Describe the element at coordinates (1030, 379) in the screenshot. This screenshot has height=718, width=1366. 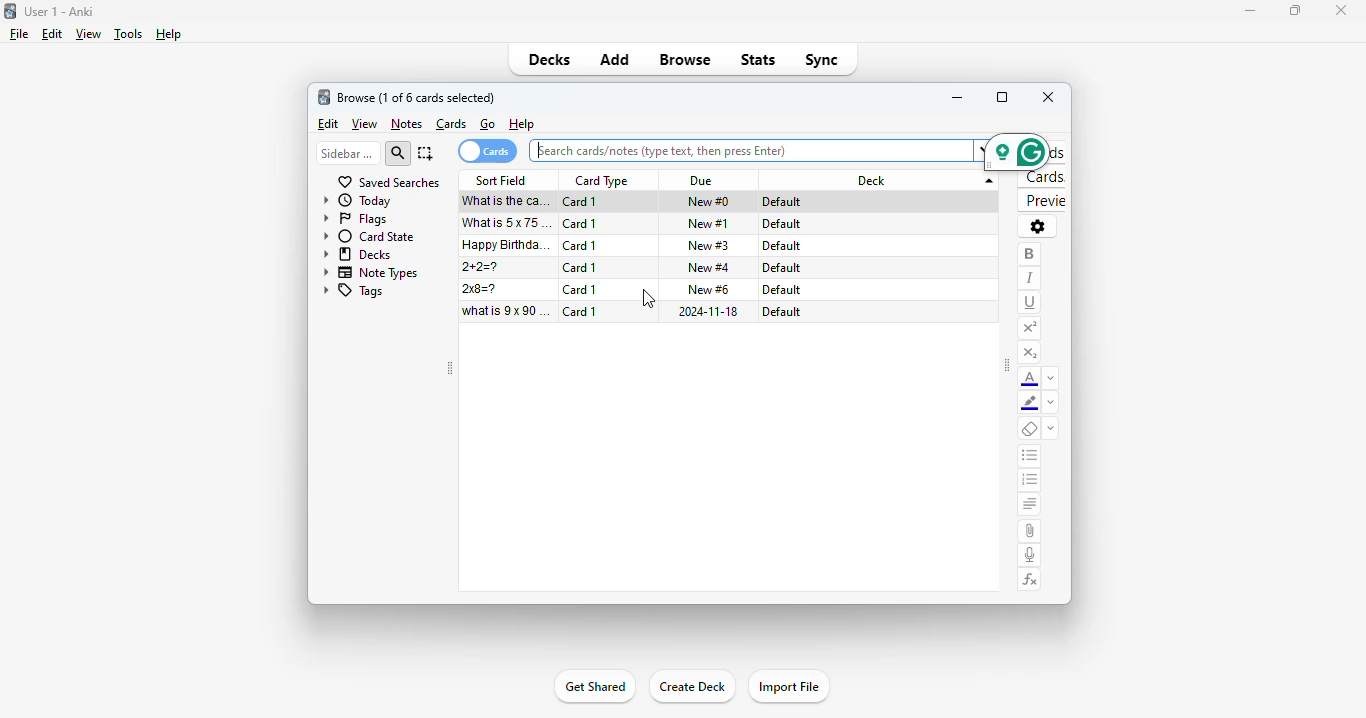
I see `text color` at that location.